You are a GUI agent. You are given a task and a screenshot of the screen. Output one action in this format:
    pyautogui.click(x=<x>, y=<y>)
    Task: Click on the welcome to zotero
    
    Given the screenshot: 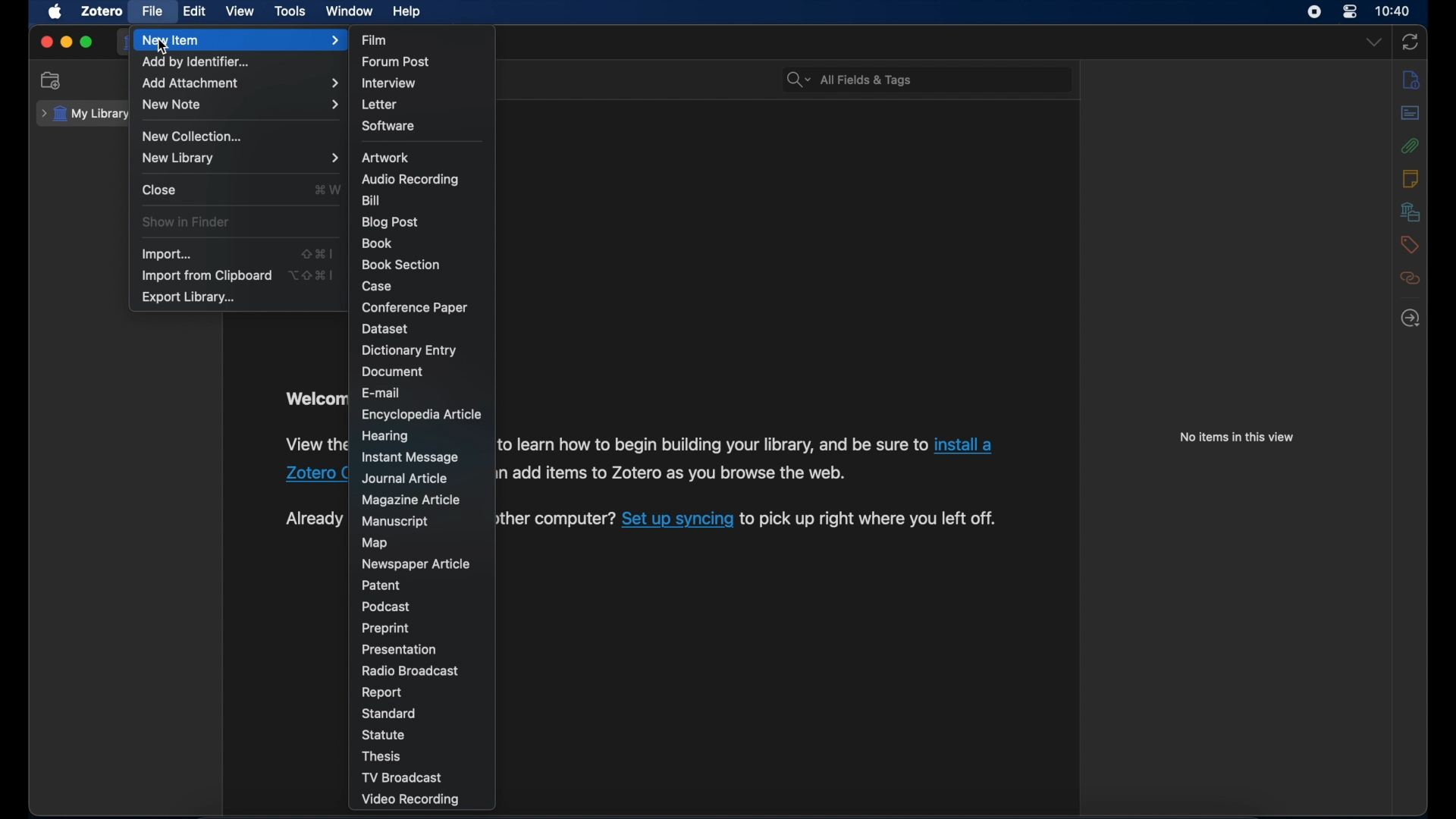 What is the action you would take?
    pyautogui.click(x=313, y=400)
    